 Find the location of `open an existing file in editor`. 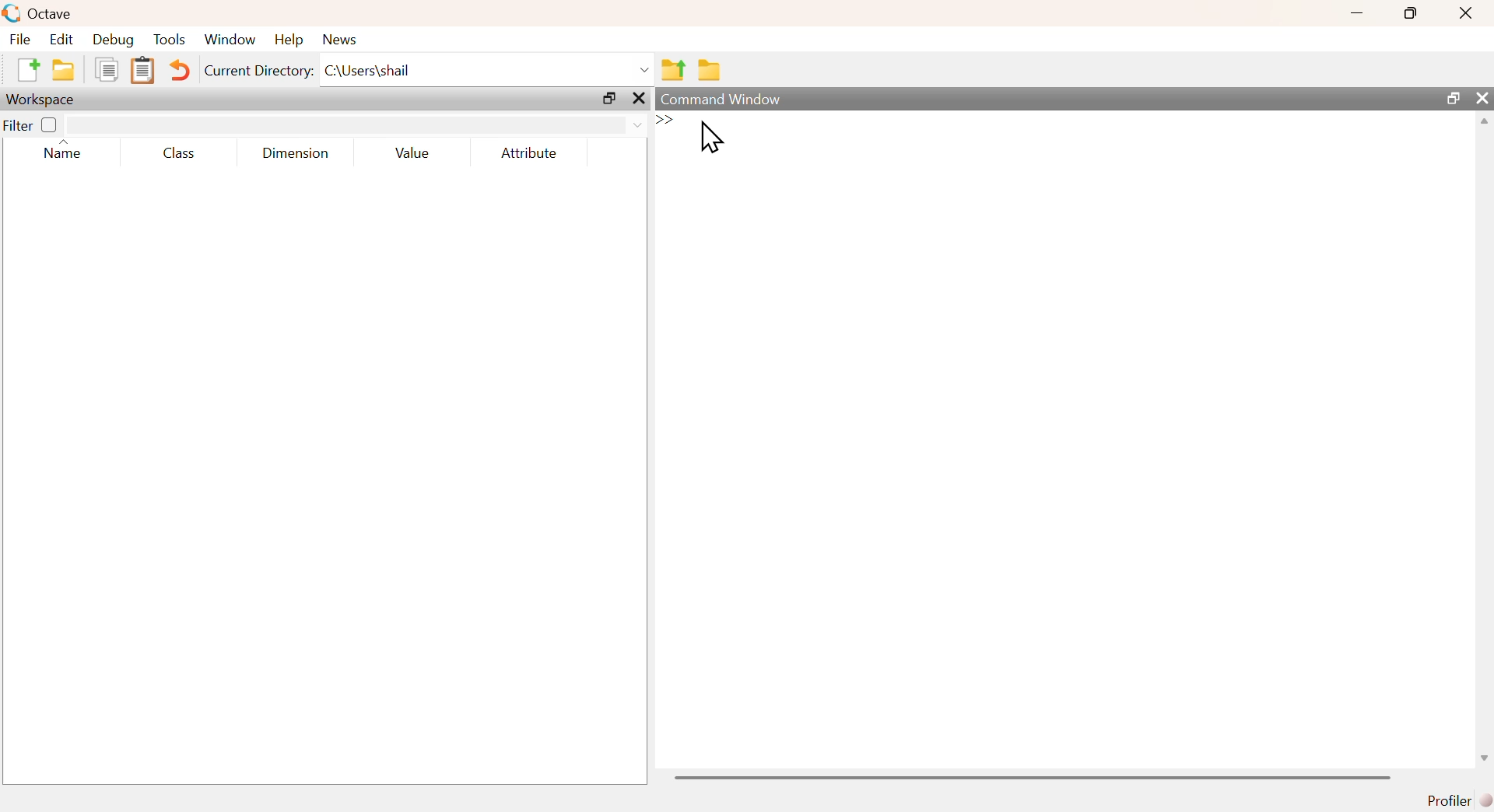

open an existing file in editor is located at coordinates (65, 70).